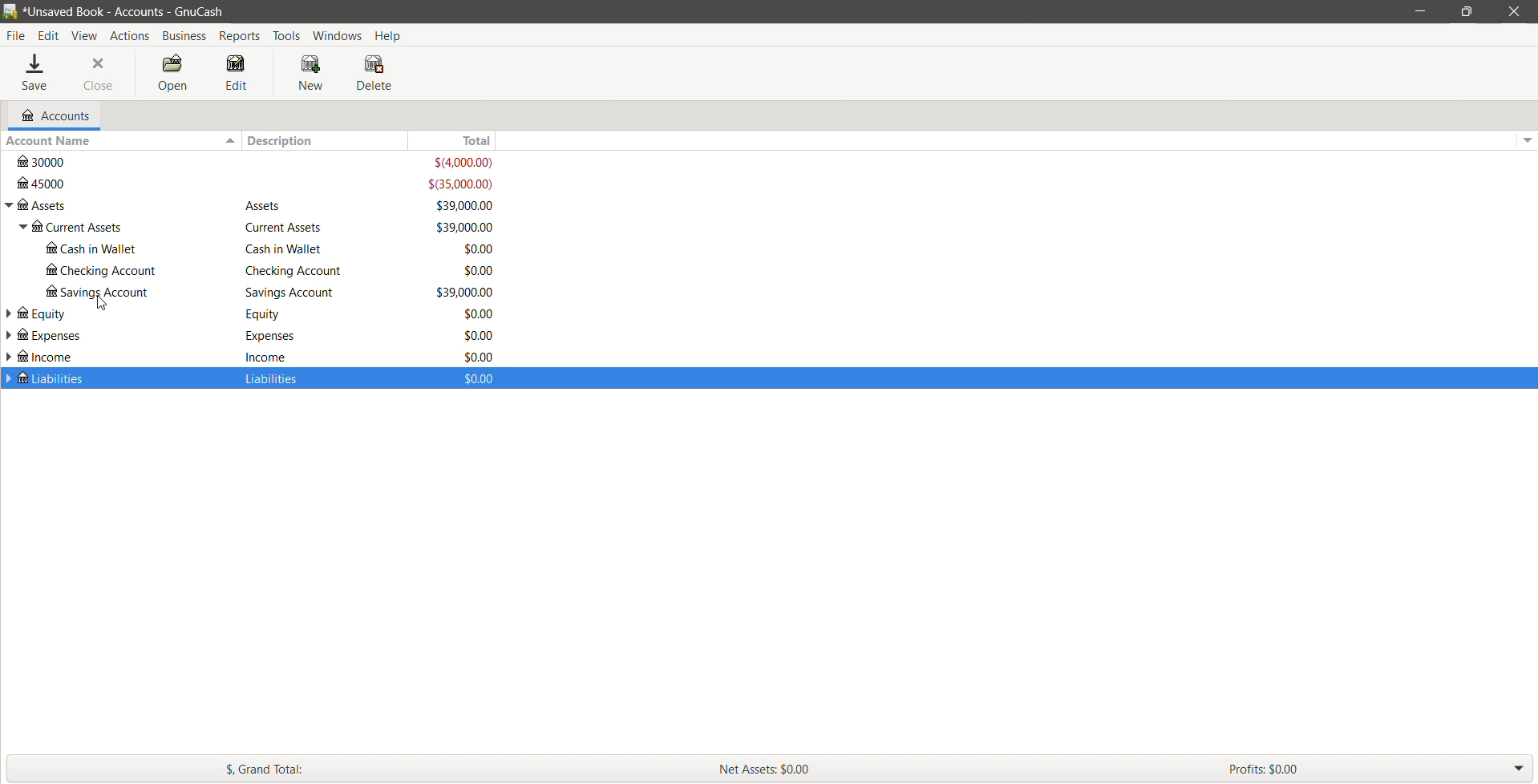 This screenshot has height=784, width=1538. I want to click on Current Book name - Accounts - Application Name, so click(128, 11).